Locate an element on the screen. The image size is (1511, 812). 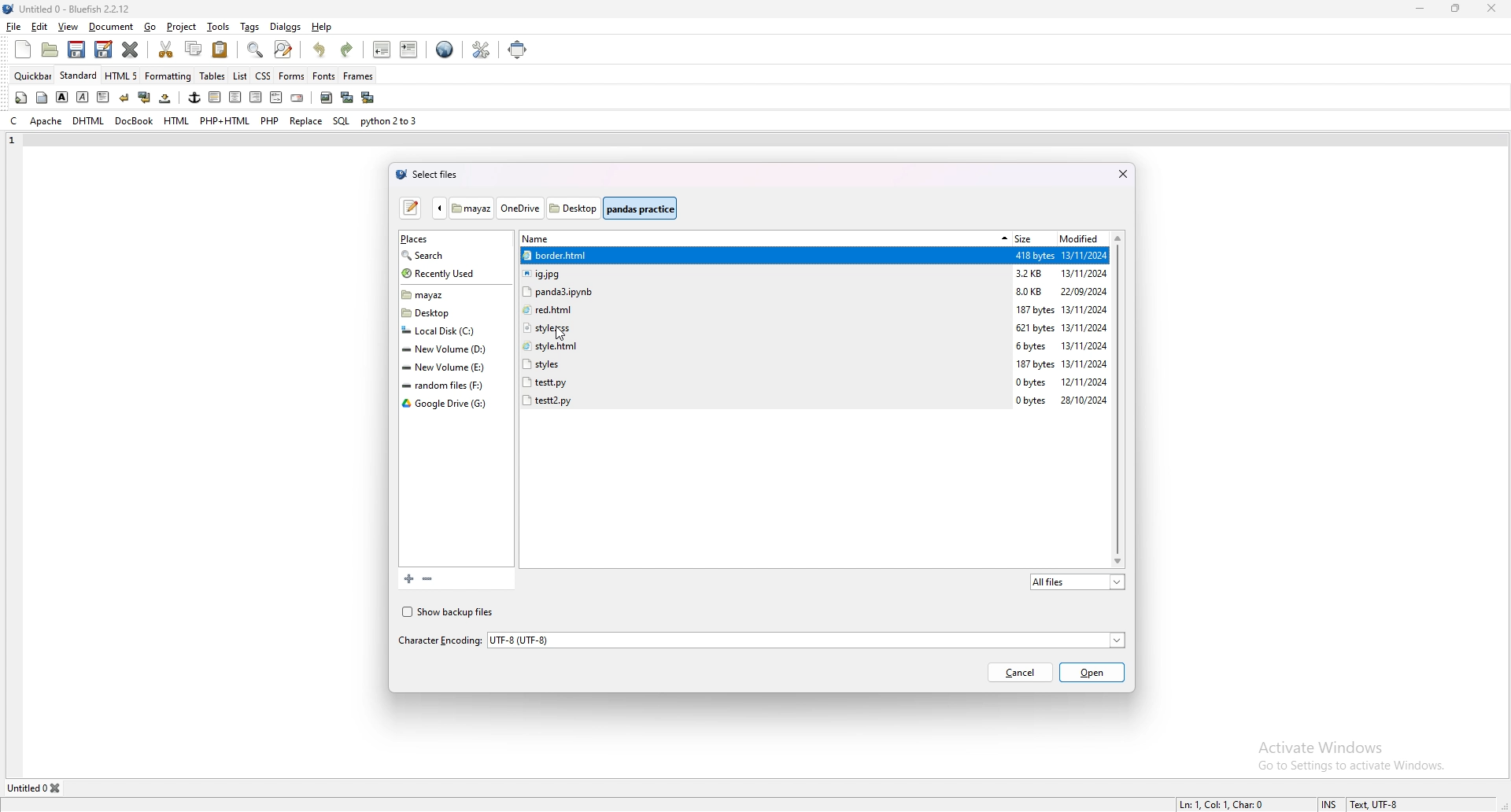
project is located at coordinates (181, 27).